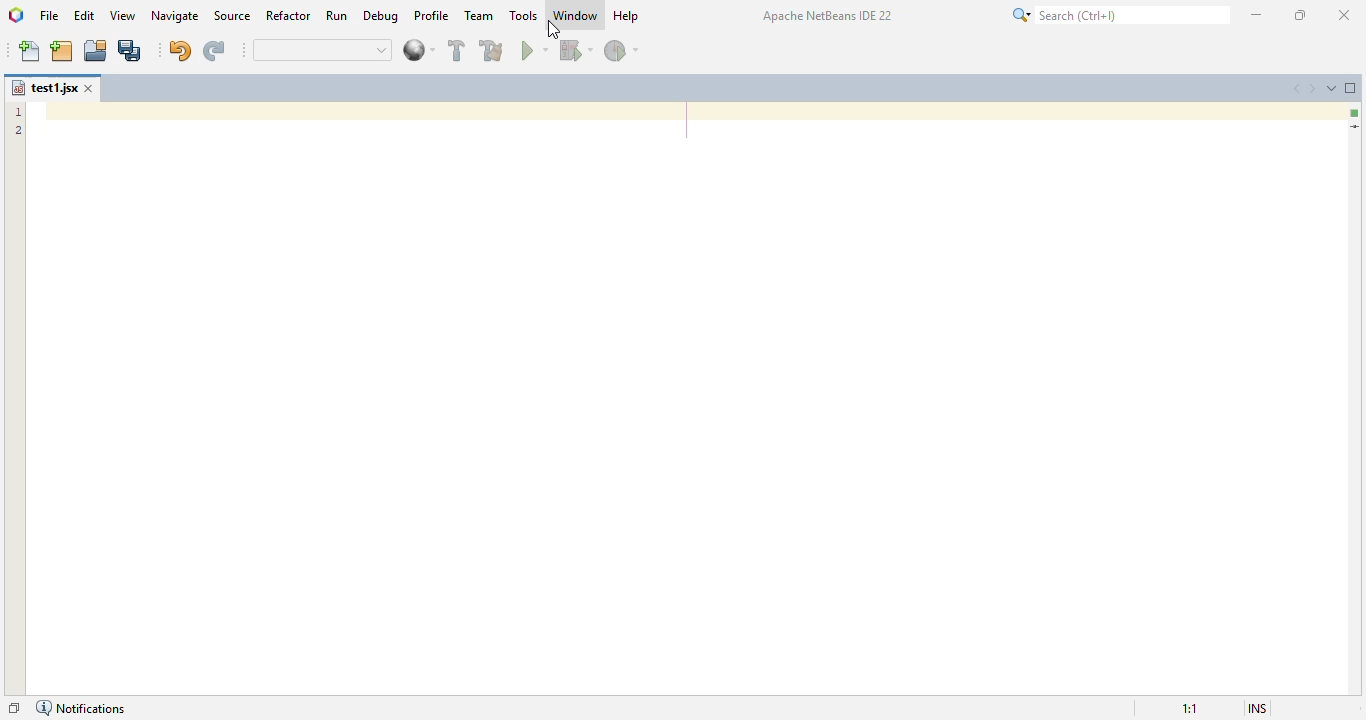 The width and height of the screenshot is (1366, 720). Describe the element at coordinates (1354, 128) in the screenshot. I see `current line` at that location.